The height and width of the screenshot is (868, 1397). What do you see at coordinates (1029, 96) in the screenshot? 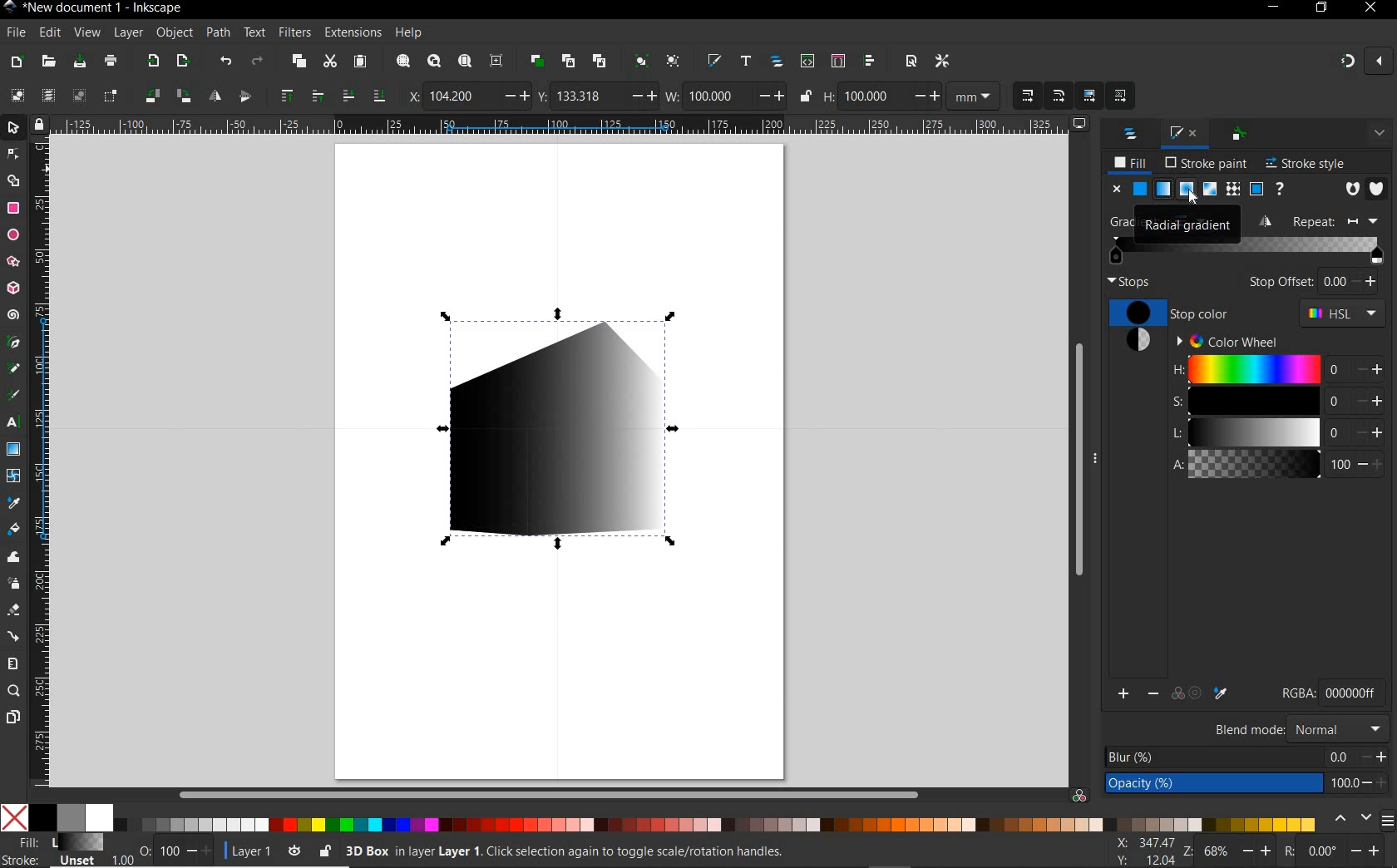
I see `WHENSCALING OBJECTS` at bounding box center [1029, 96].